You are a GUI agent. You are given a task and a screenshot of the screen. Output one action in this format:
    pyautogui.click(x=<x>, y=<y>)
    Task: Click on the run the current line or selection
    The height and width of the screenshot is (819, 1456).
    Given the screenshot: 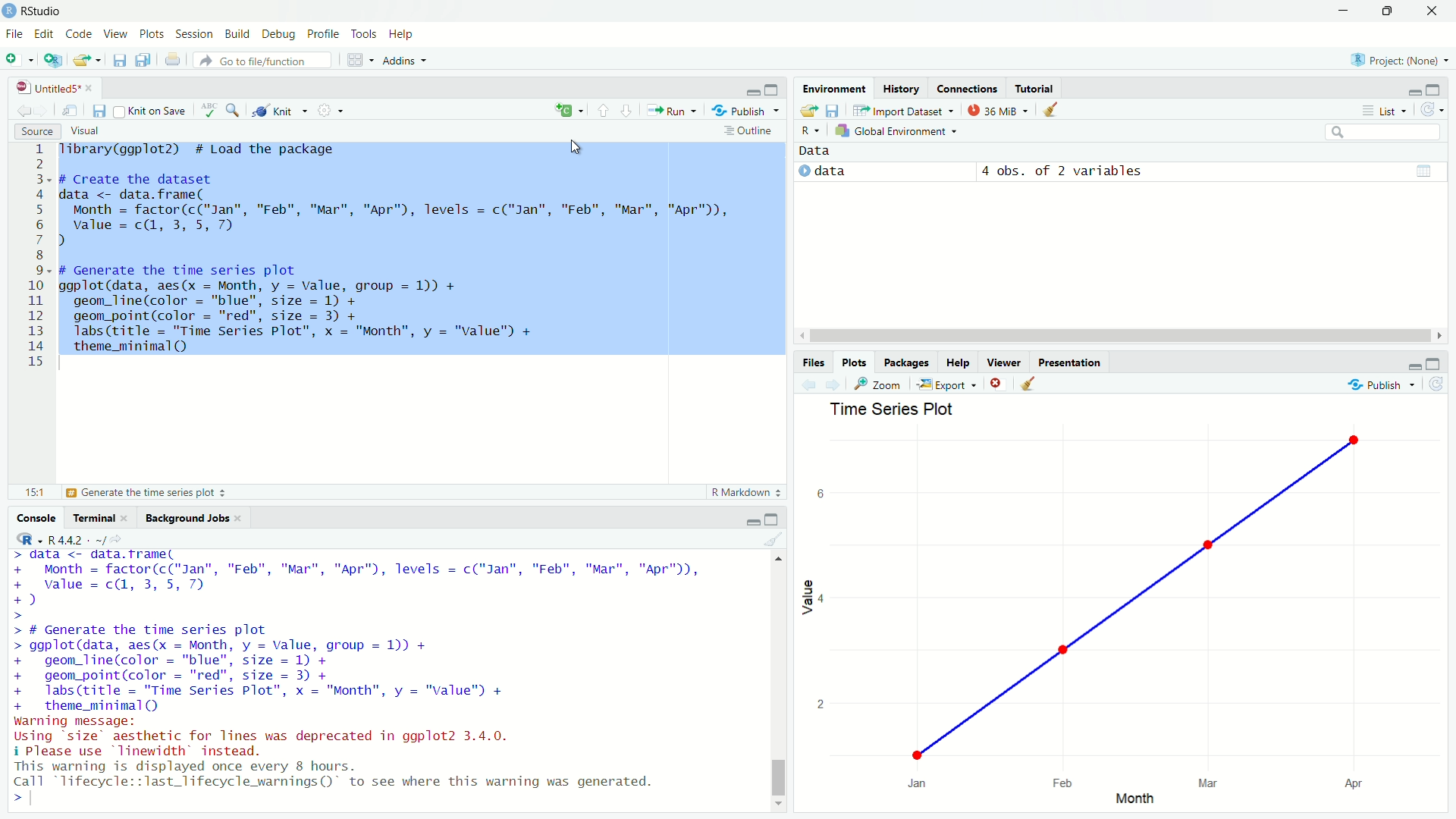 What is the action you would take?
    pyautogui.click(x=673, y=110)
    